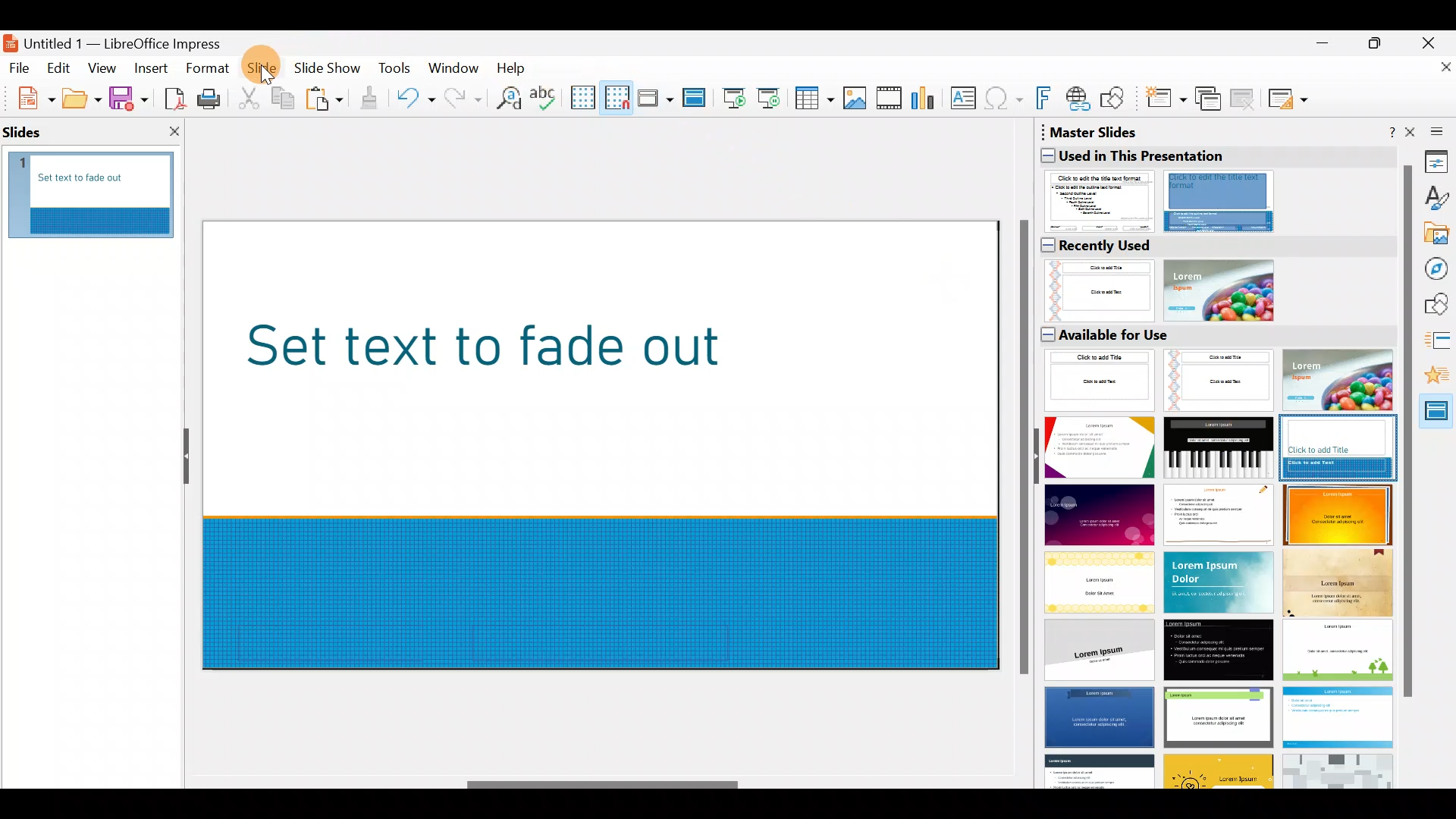 This screenshot has width=1456, height=819. I want to click on Insert fontwork text, so click(1046, 101).